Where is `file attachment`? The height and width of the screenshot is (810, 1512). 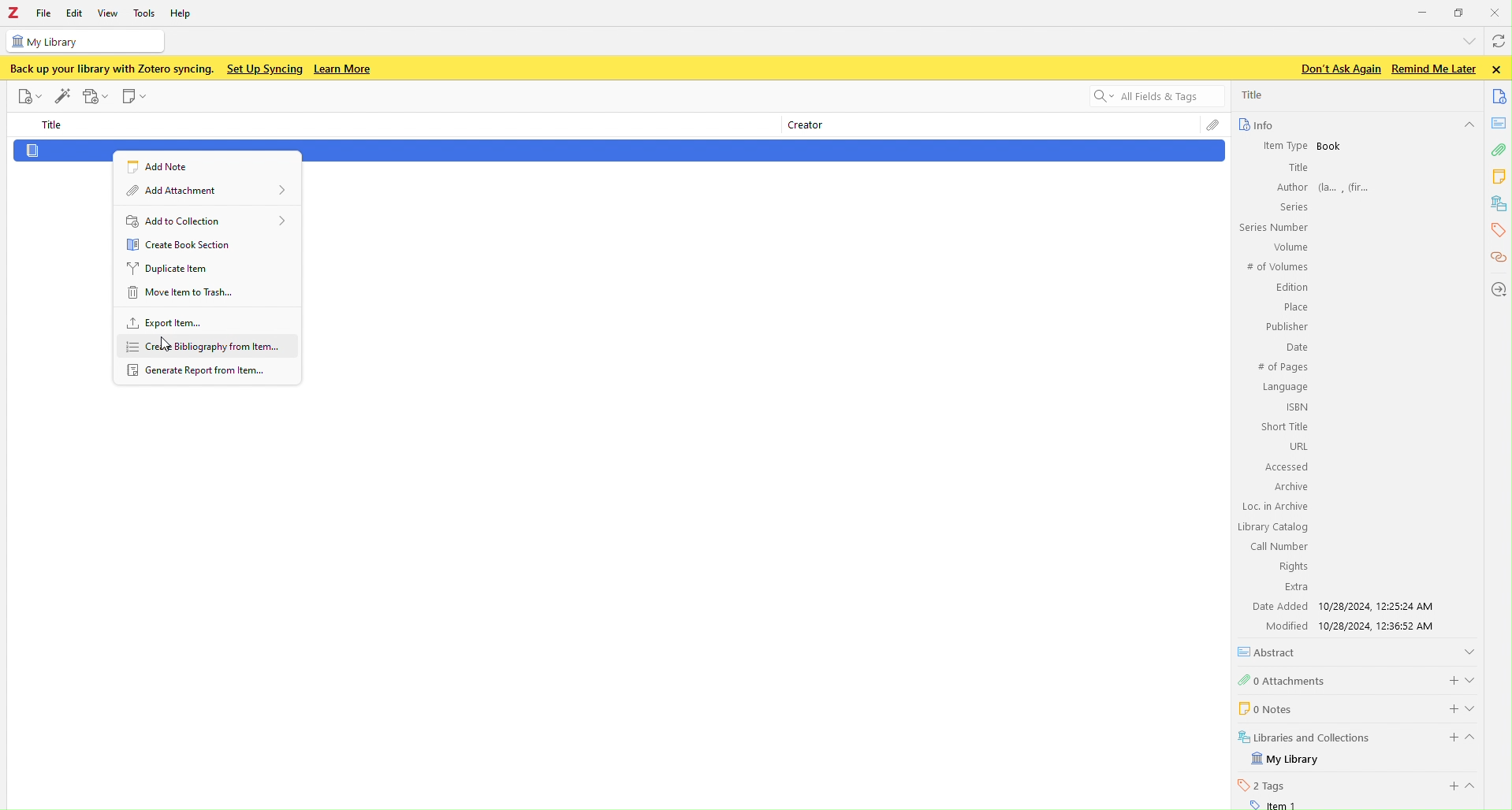 file attachment is located at coordinates (1212, 127).